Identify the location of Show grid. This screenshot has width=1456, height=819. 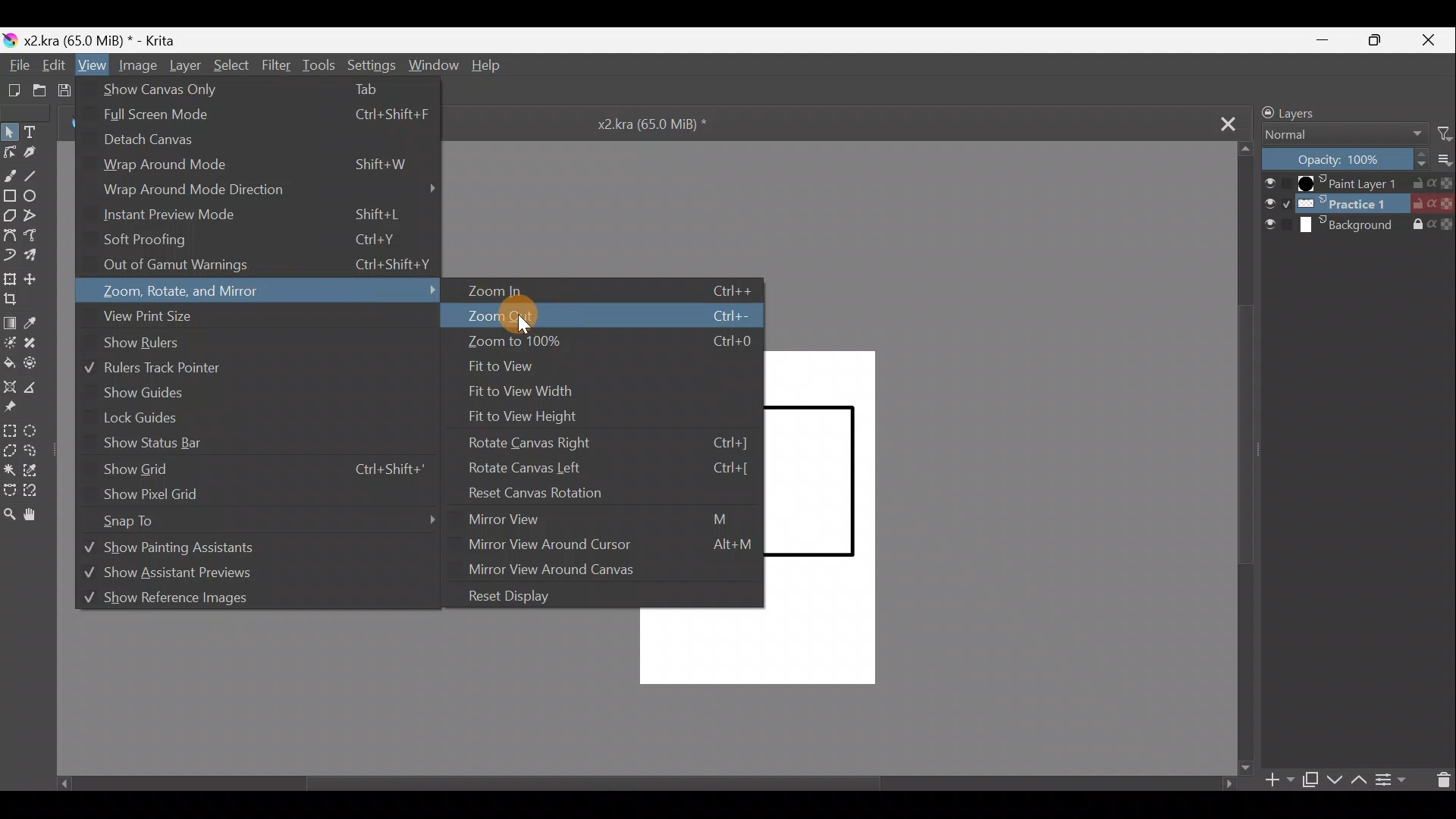
(262, 469).